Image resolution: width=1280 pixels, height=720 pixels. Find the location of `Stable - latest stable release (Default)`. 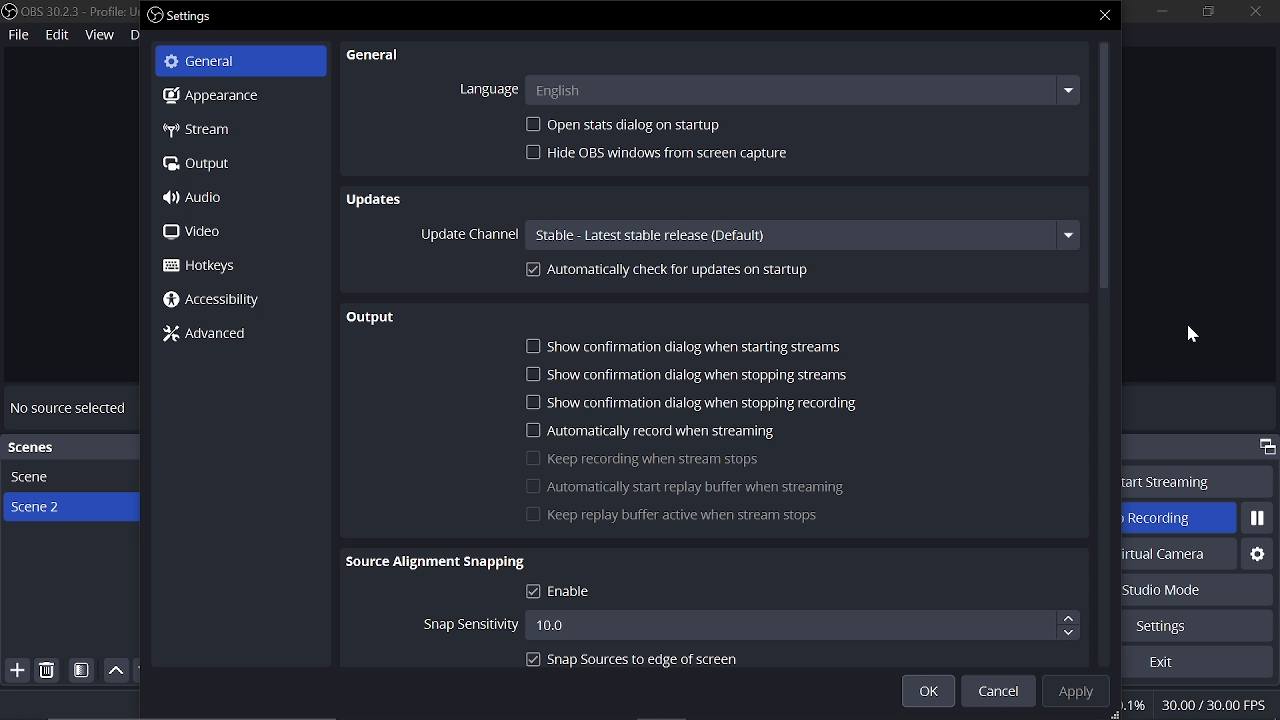

Stable - latest stable release (Default) is located at coordinates (801, 233).